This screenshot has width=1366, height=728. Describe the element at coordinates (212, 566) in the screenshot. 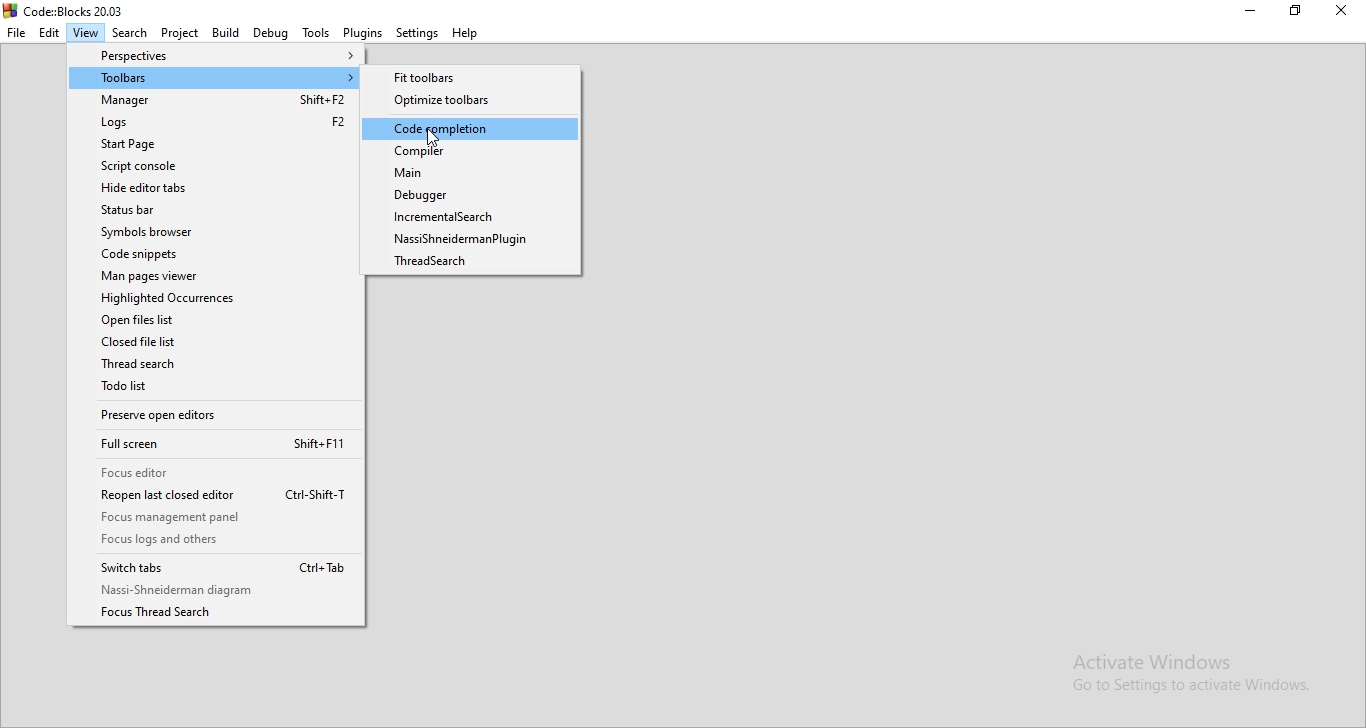

I see `Switch tabs` at that location.